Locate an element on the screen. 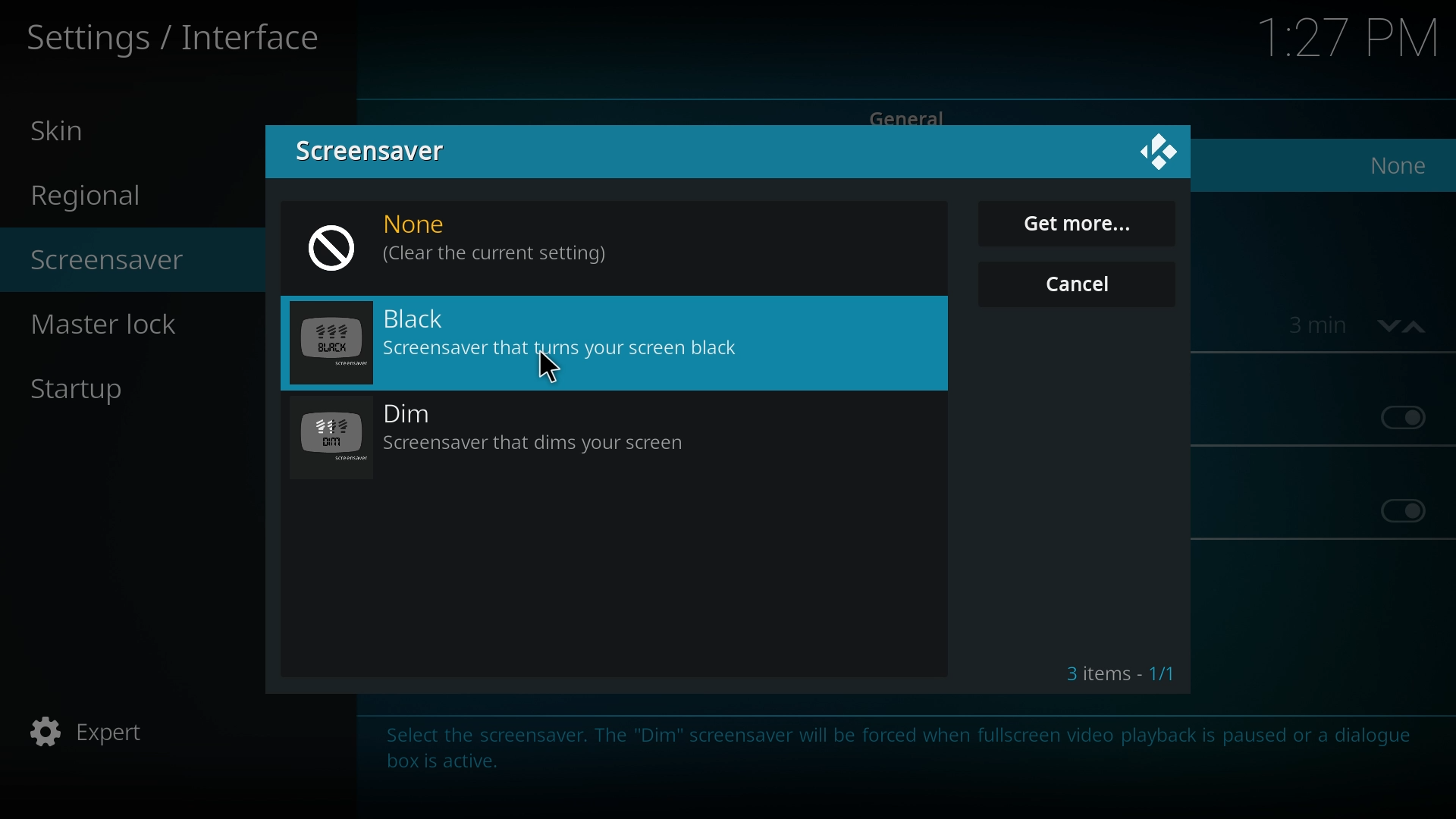  off is located at coordinates (1404, 509).